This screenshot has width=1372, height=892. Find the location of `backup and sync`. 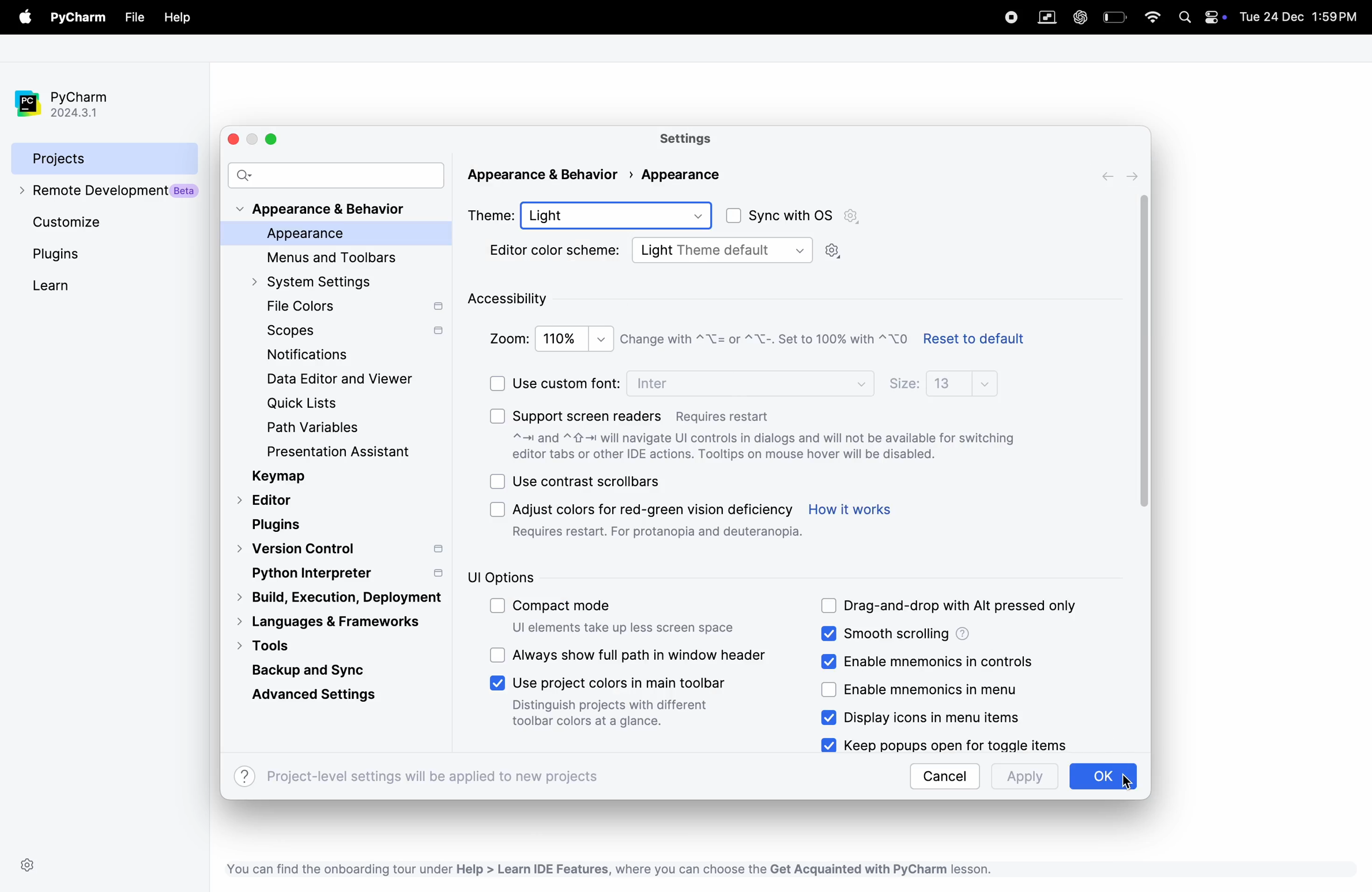

backup and sync is located at coordinates (316, 669).